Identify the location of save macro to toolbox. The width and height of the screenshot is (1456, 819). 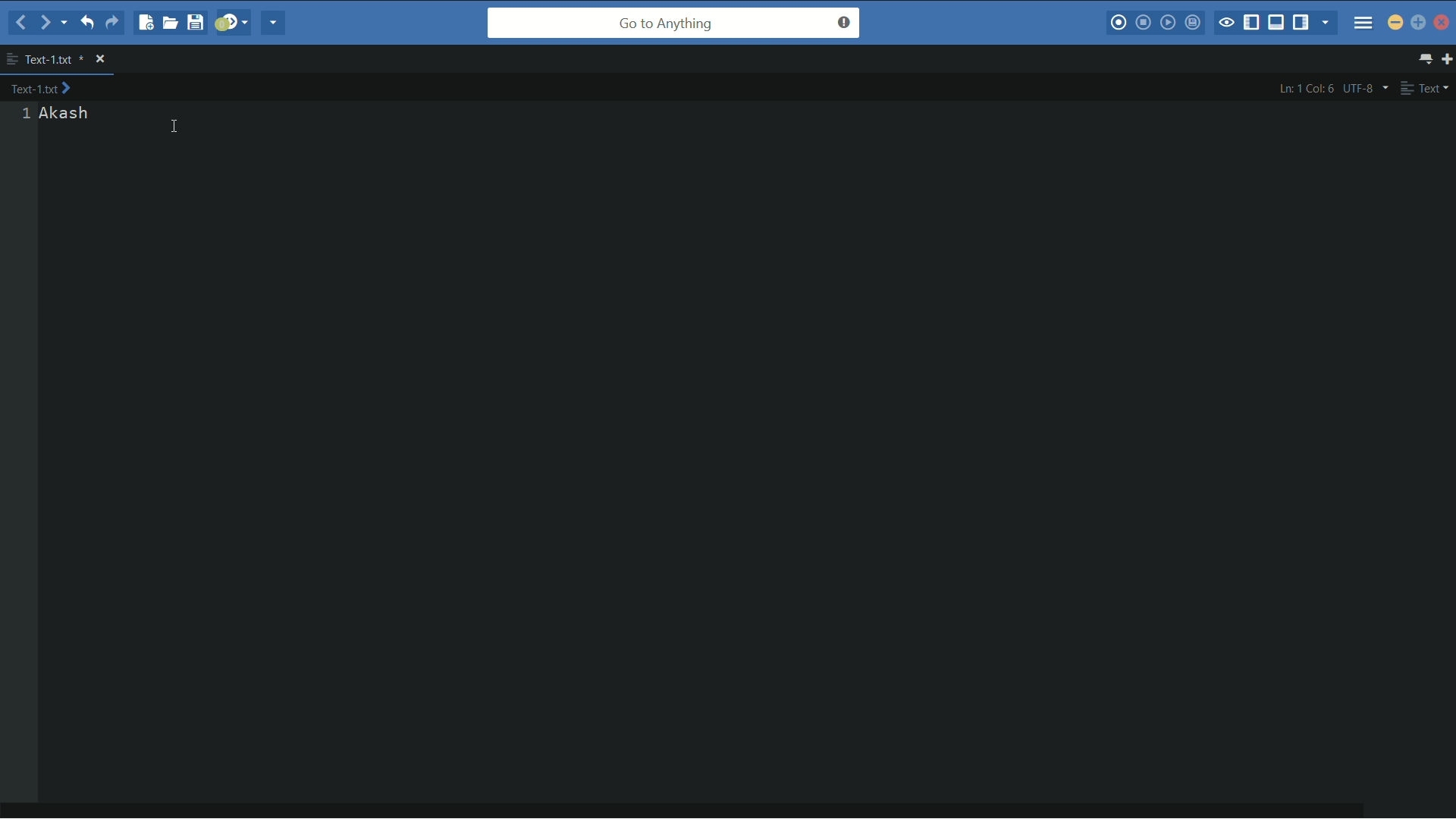
(1192, 20).